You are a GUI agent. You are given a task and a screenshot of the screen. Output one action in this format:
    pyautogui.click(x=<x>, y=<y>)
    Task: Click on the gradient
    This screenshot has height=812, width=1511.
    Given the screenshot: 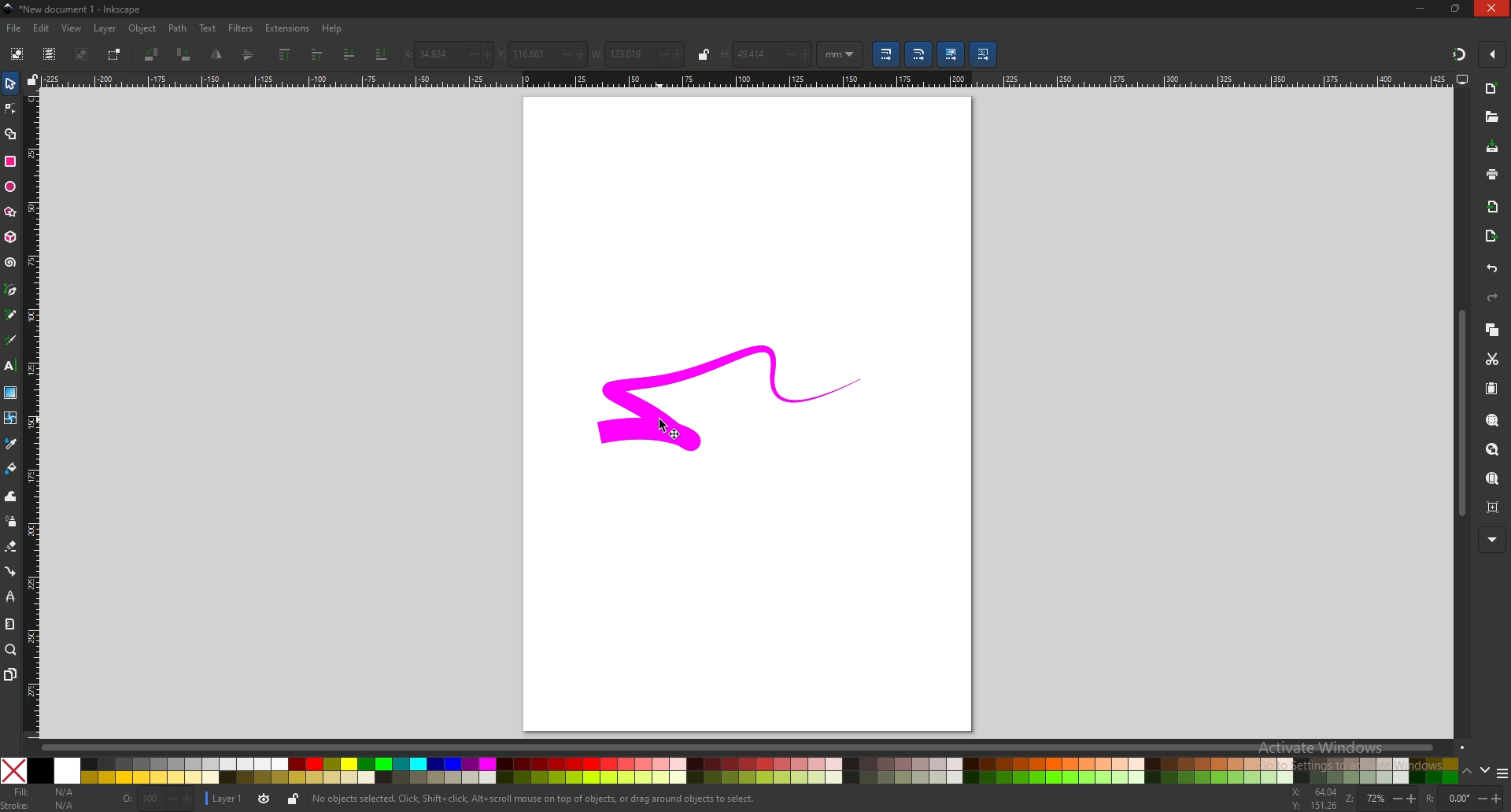 What is the action you would take?
    pyautogui.click(x=10, y=391)
    